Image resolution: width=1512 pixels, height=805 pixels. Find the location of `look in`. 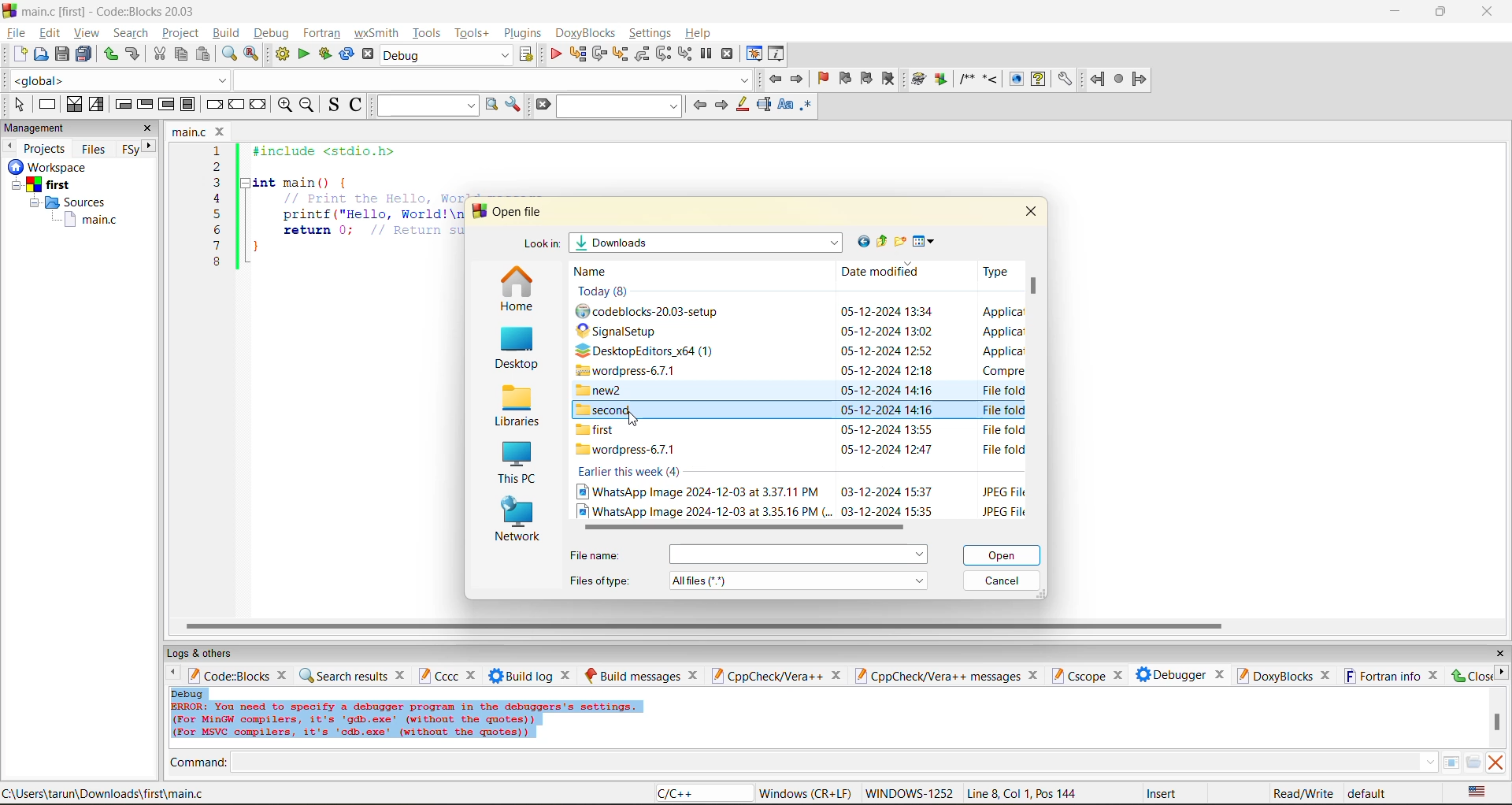

look in is located at coordinates (541, 246).